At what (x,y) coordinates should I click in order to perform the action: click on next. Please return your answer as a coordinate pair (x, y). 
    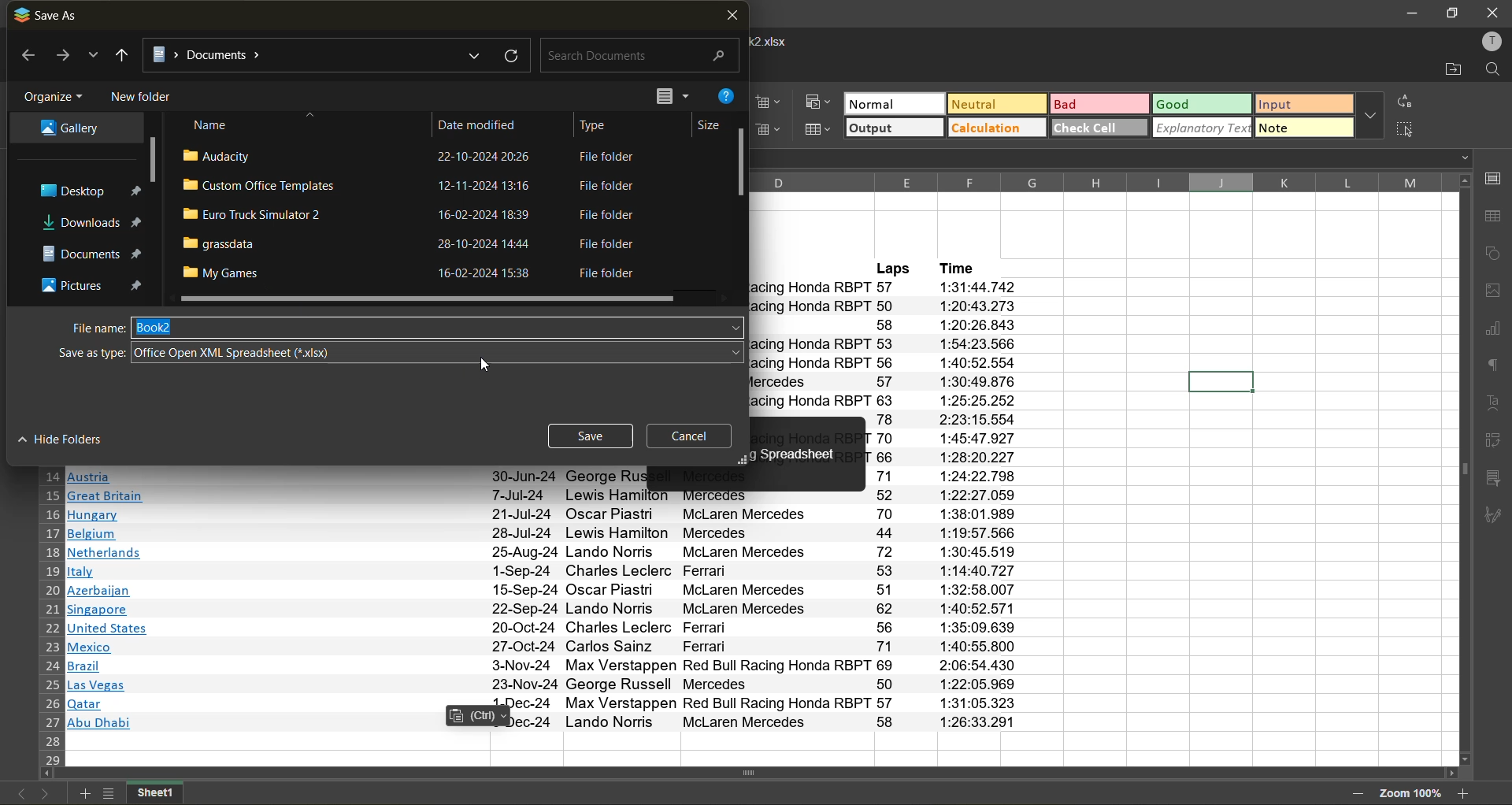
    Looking at the image, I should click on (44, 796).